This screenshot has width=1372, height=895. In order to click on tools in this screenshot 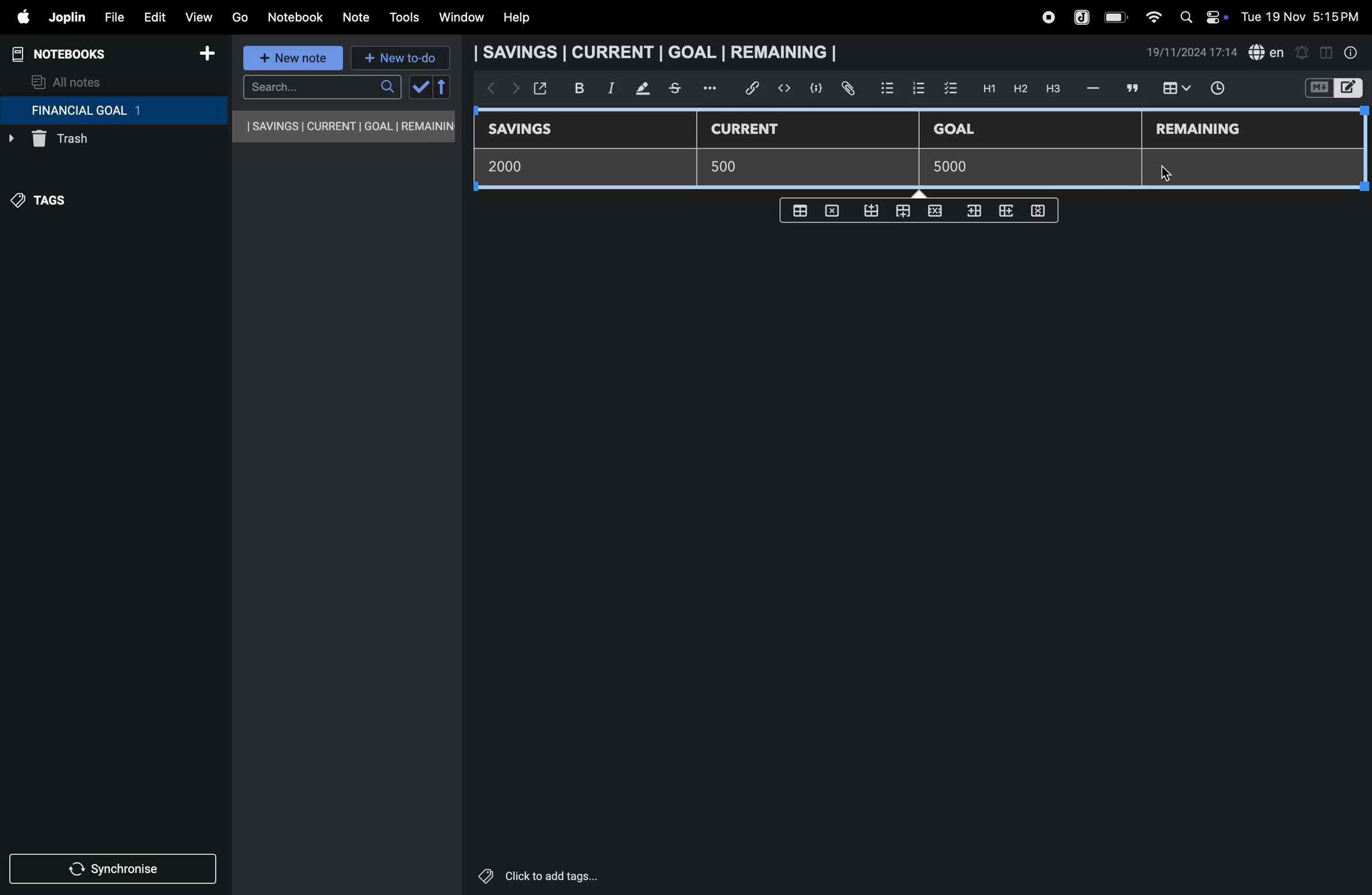, I will do `click(402, 17)`.